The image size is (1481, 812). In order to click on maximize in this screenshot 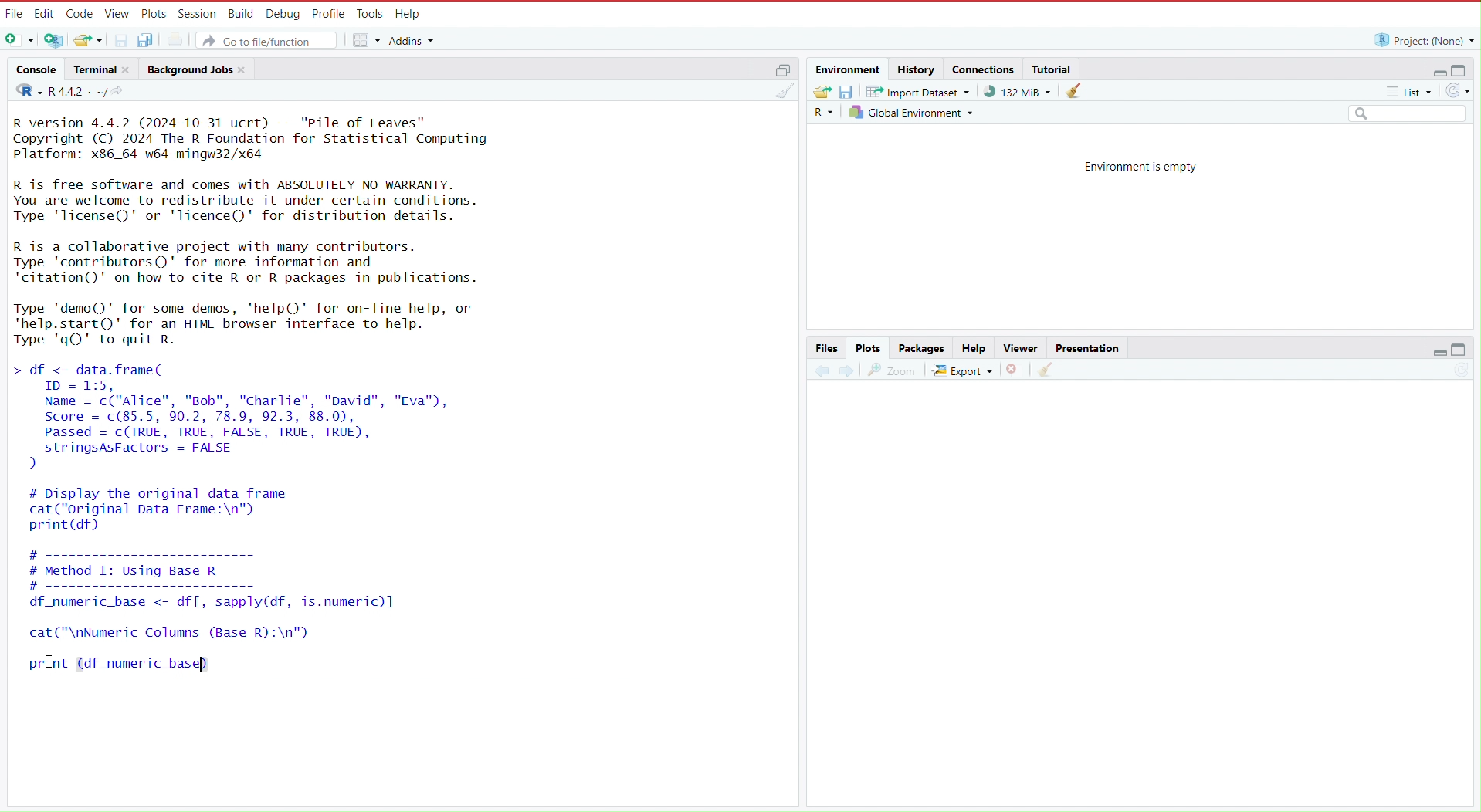, I will do `click(1467, 350)`.